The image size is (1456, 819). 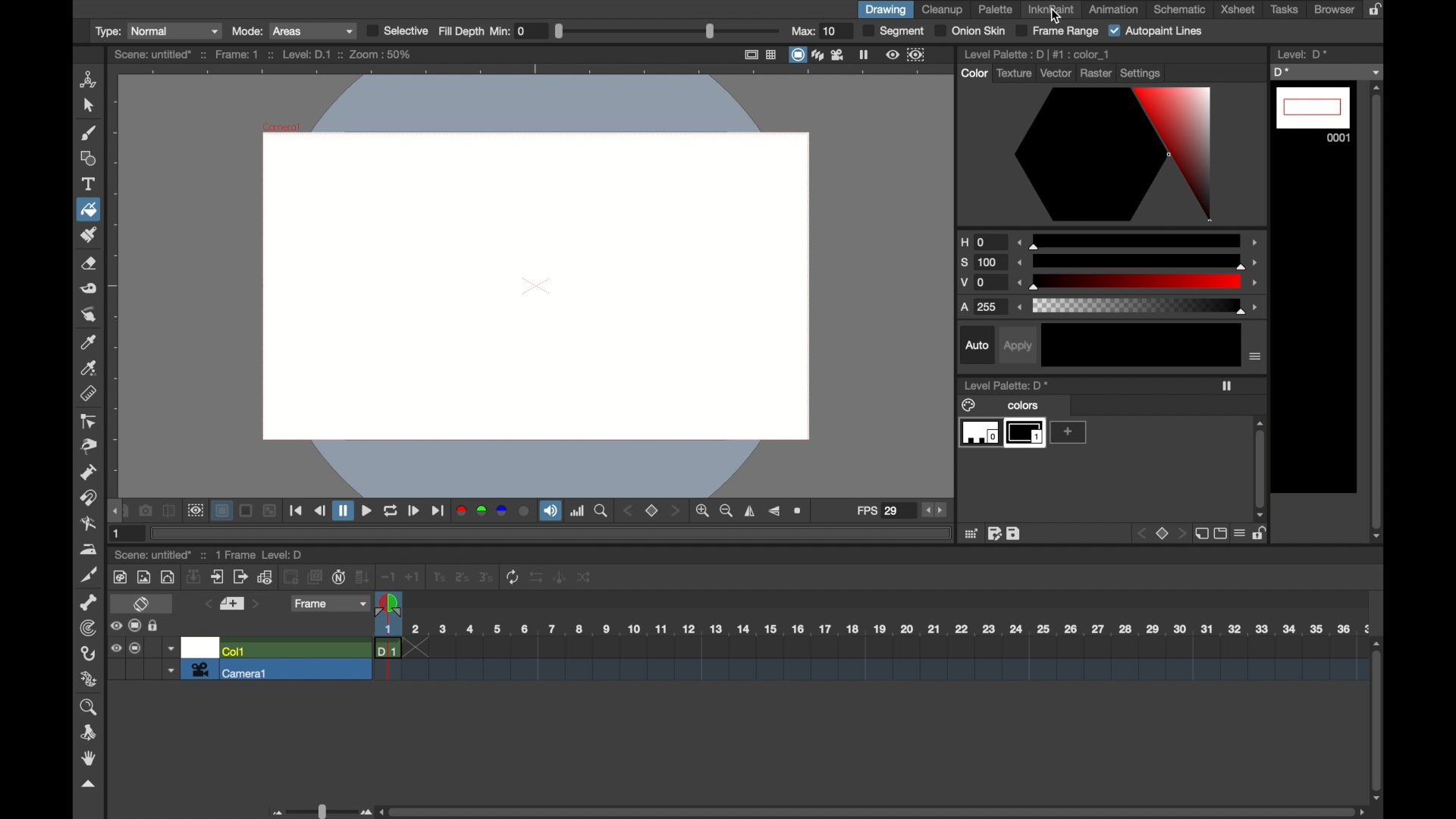 I want to click on playhead, so click(x=390, y=606).